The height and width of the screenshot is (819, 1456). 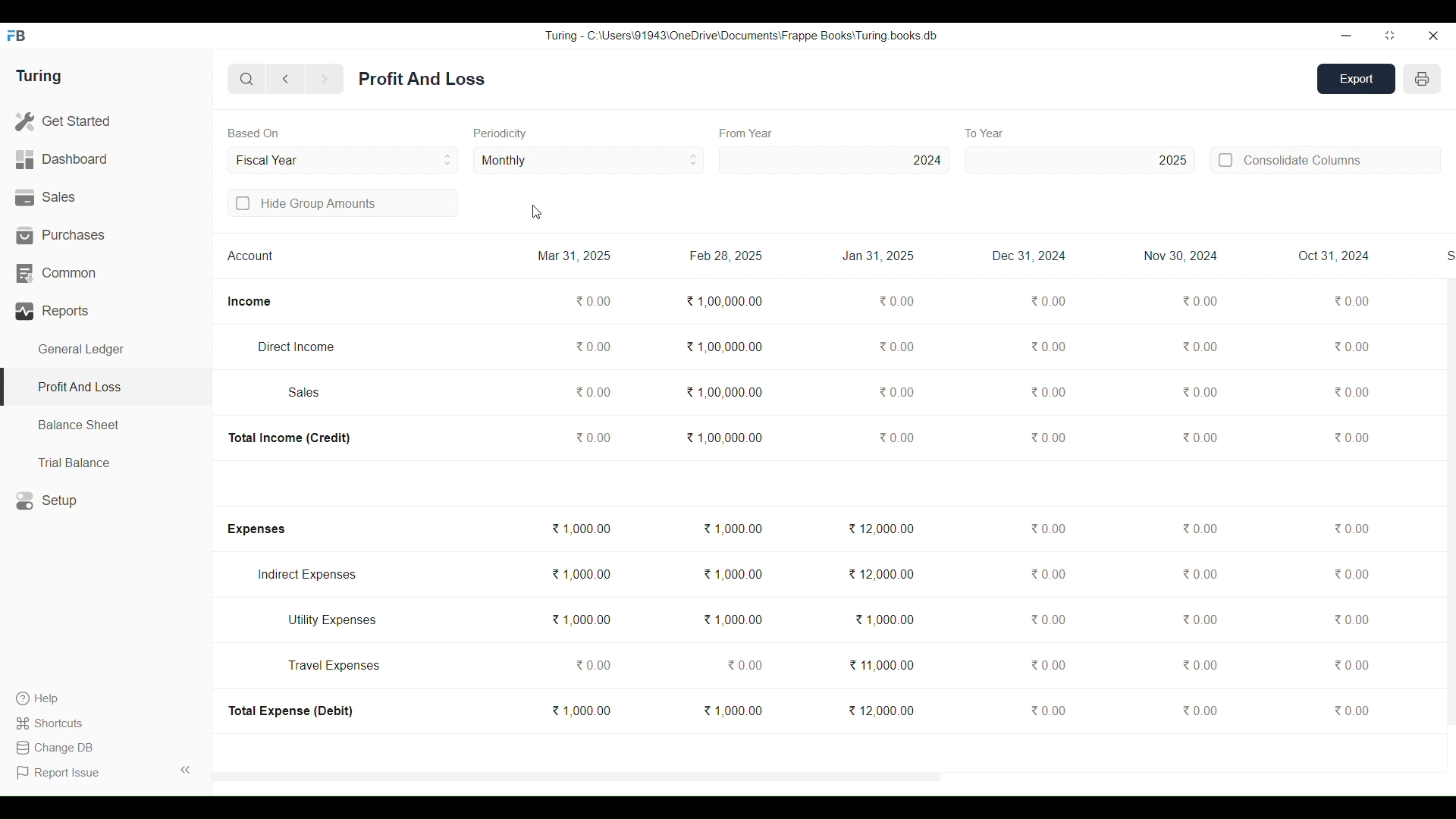 What do you see at coordinates (1049, 347) in the screenshot?
I see `0.00` at bounding box center [1049, 347].